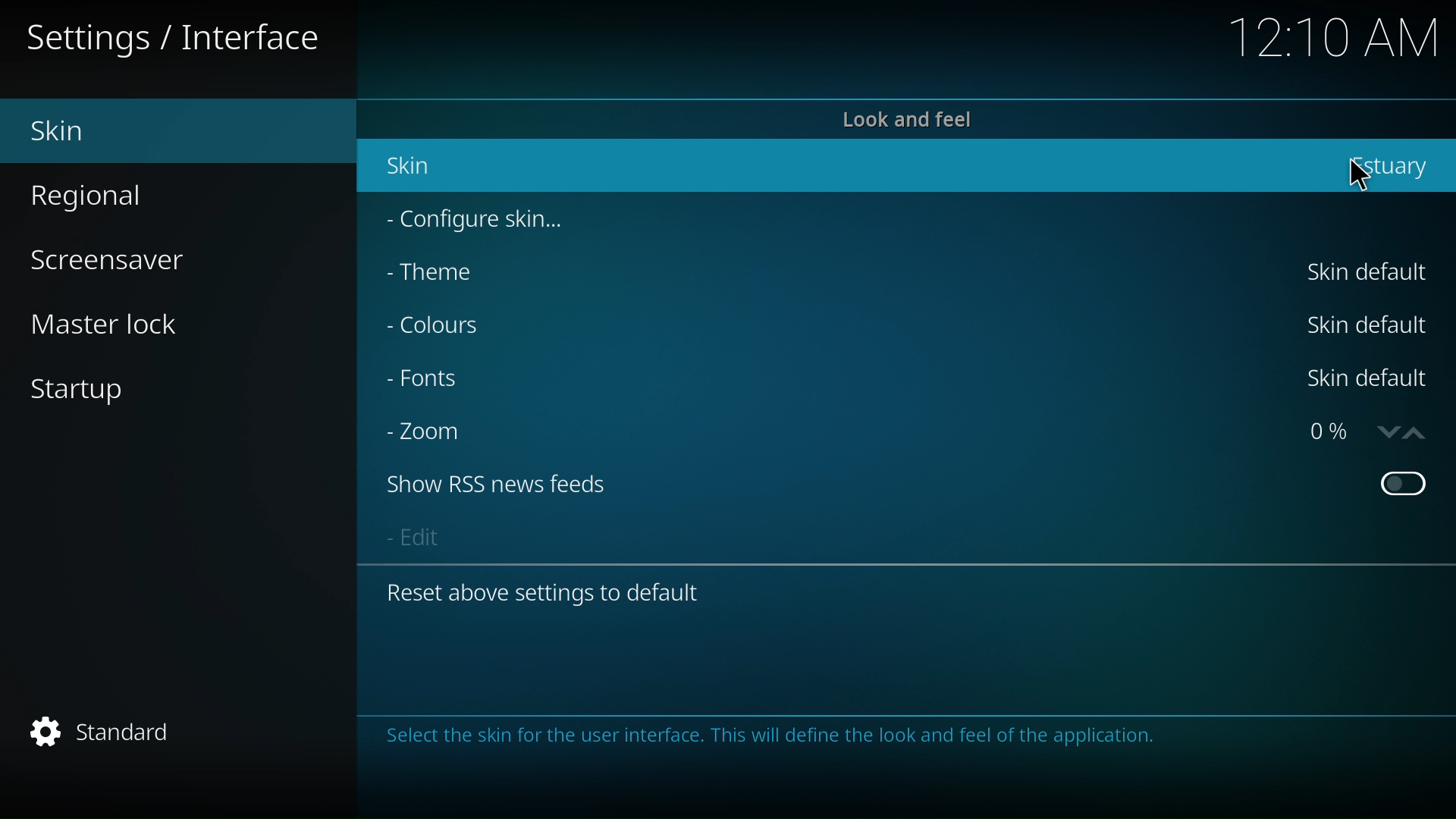 This screenshot has height=819, width=1456. What do you see at coordinates (773, 736) in the screenshot?
I see `Select the skin for the user interface. This will define the look and feel of the application.` at bounding box center [773, 736].